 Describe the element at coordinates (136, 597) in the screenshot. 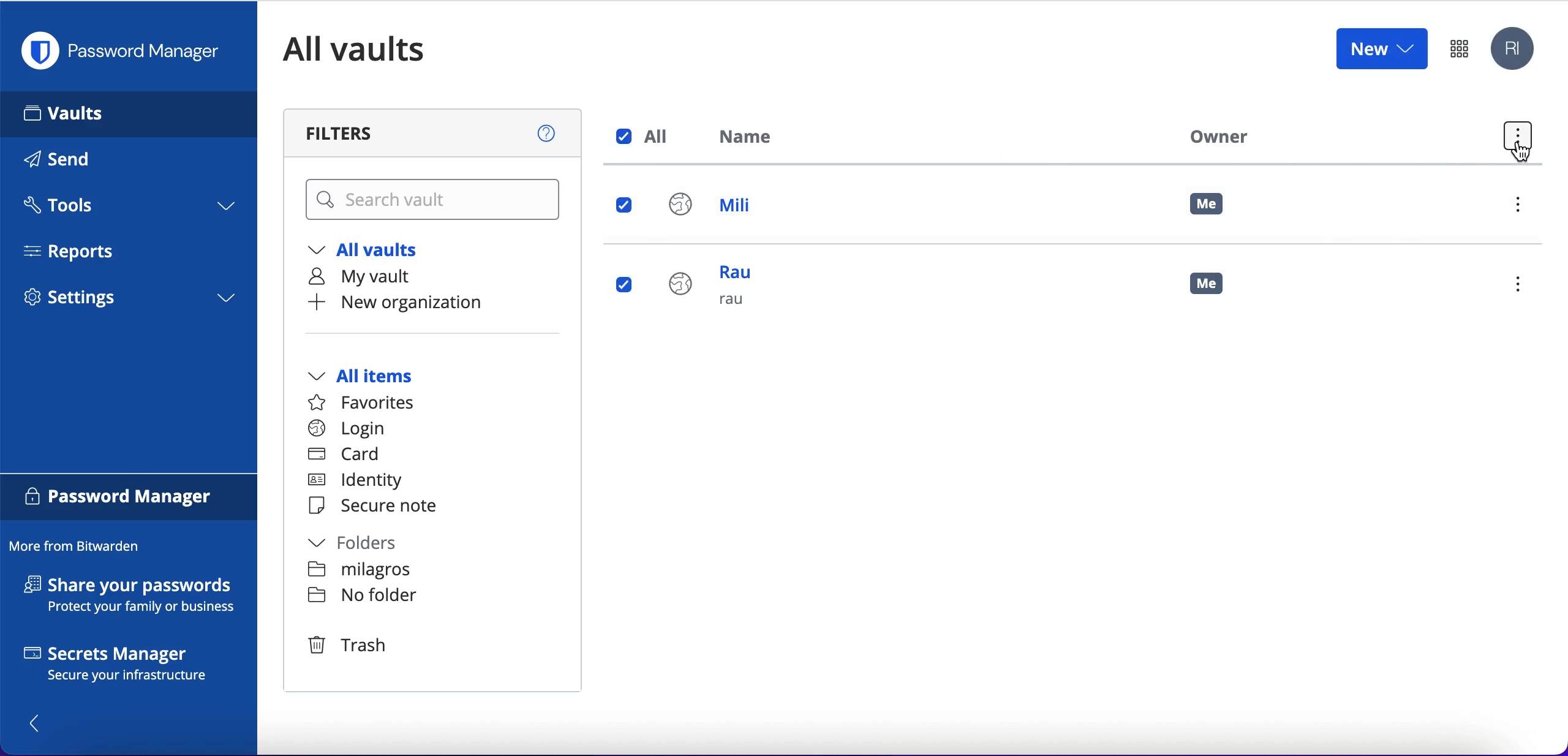

I see `share your passwords protect your family or business` at that location.